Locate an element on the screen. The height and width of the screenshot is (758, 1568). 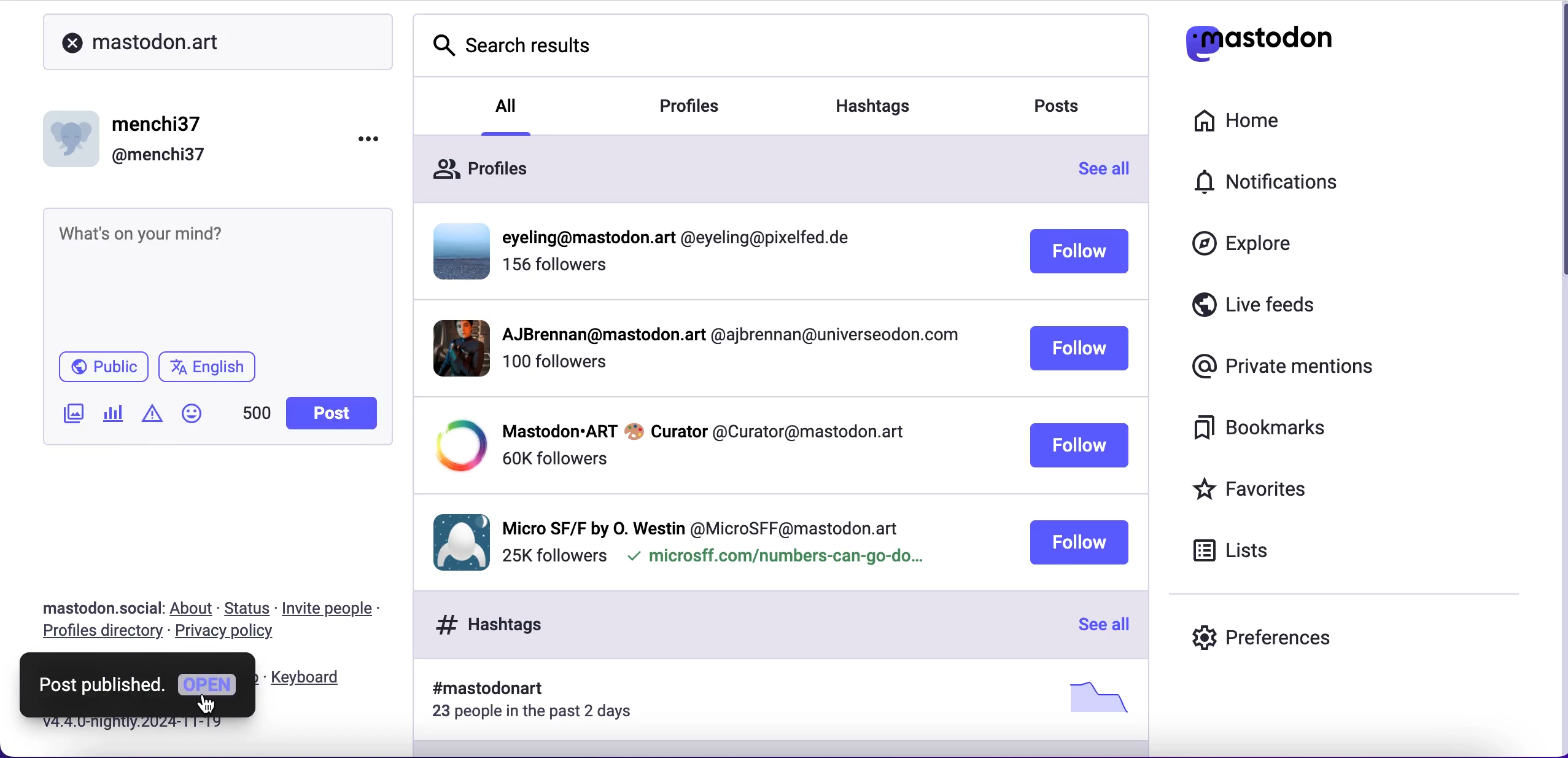
display picture is located at coordinates (456, 446).